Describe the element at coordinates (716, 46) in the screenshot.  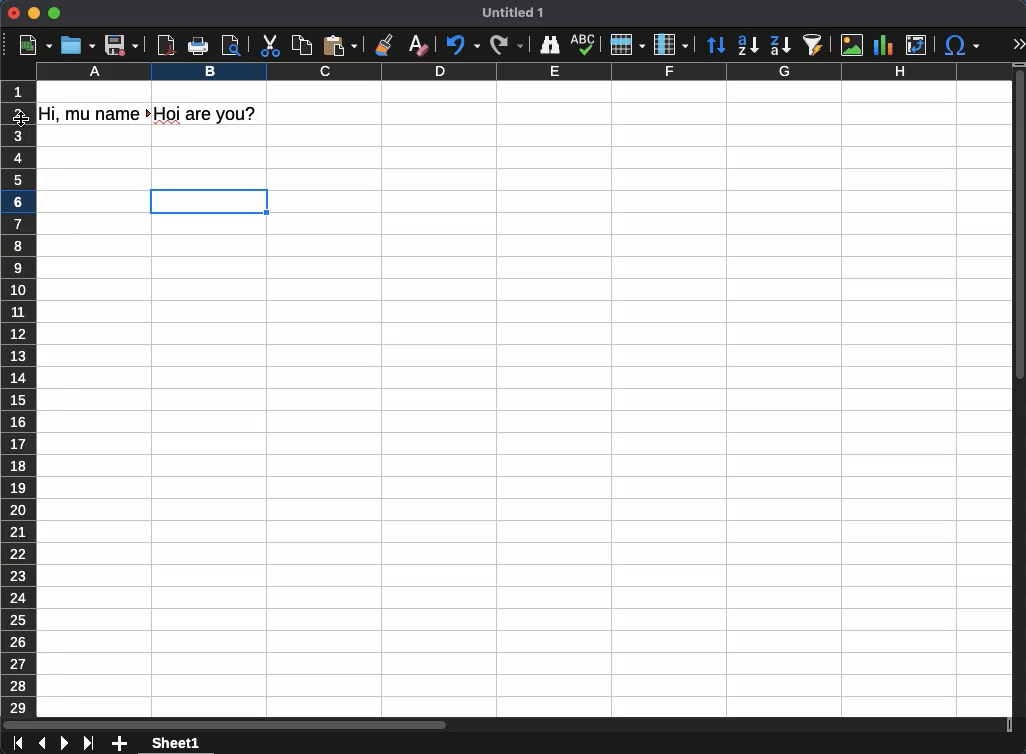
I see `sort` at that location.